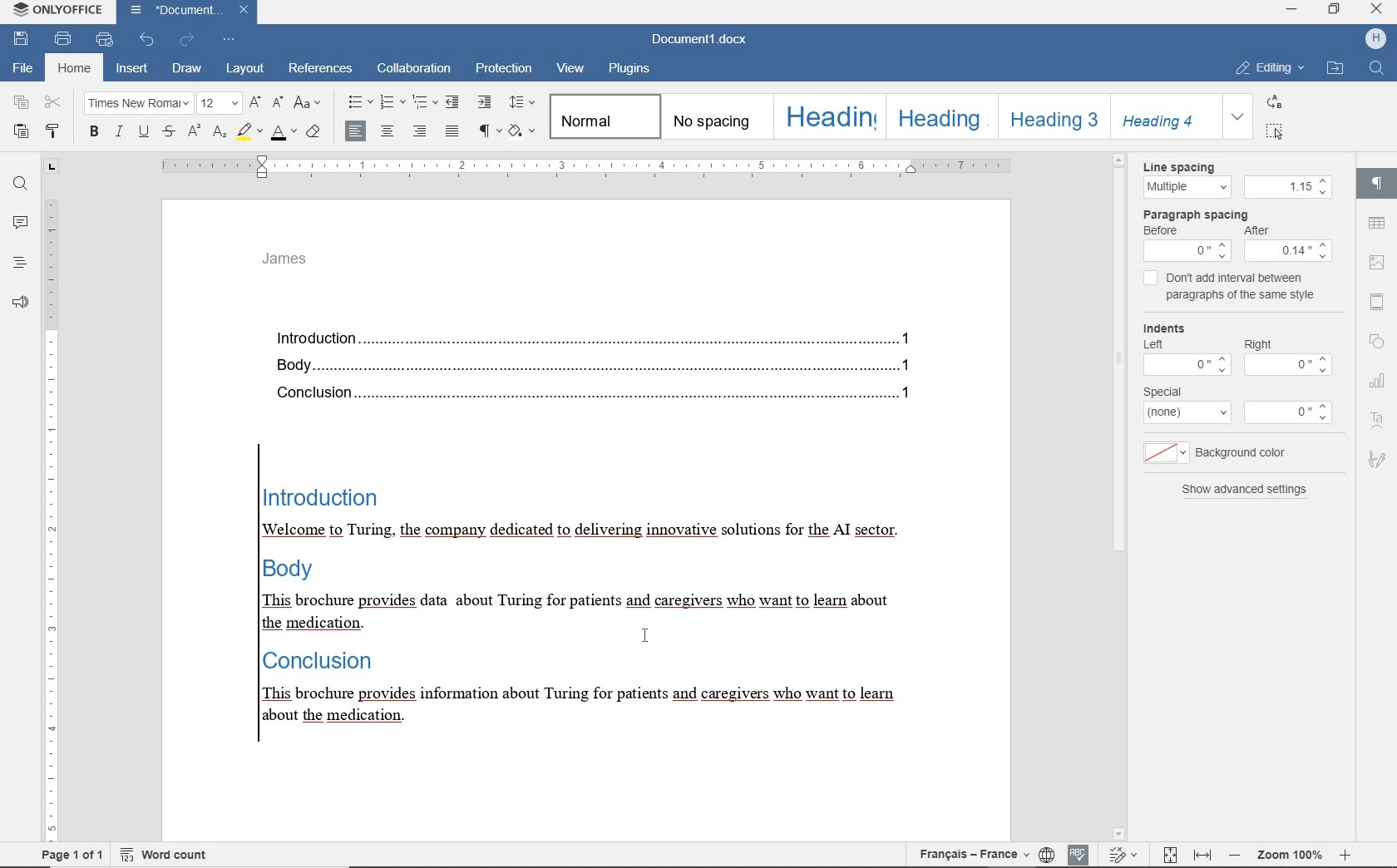  Describe the element at coordinates (1185, 363) in the screenshot. I see `more options` at that location.